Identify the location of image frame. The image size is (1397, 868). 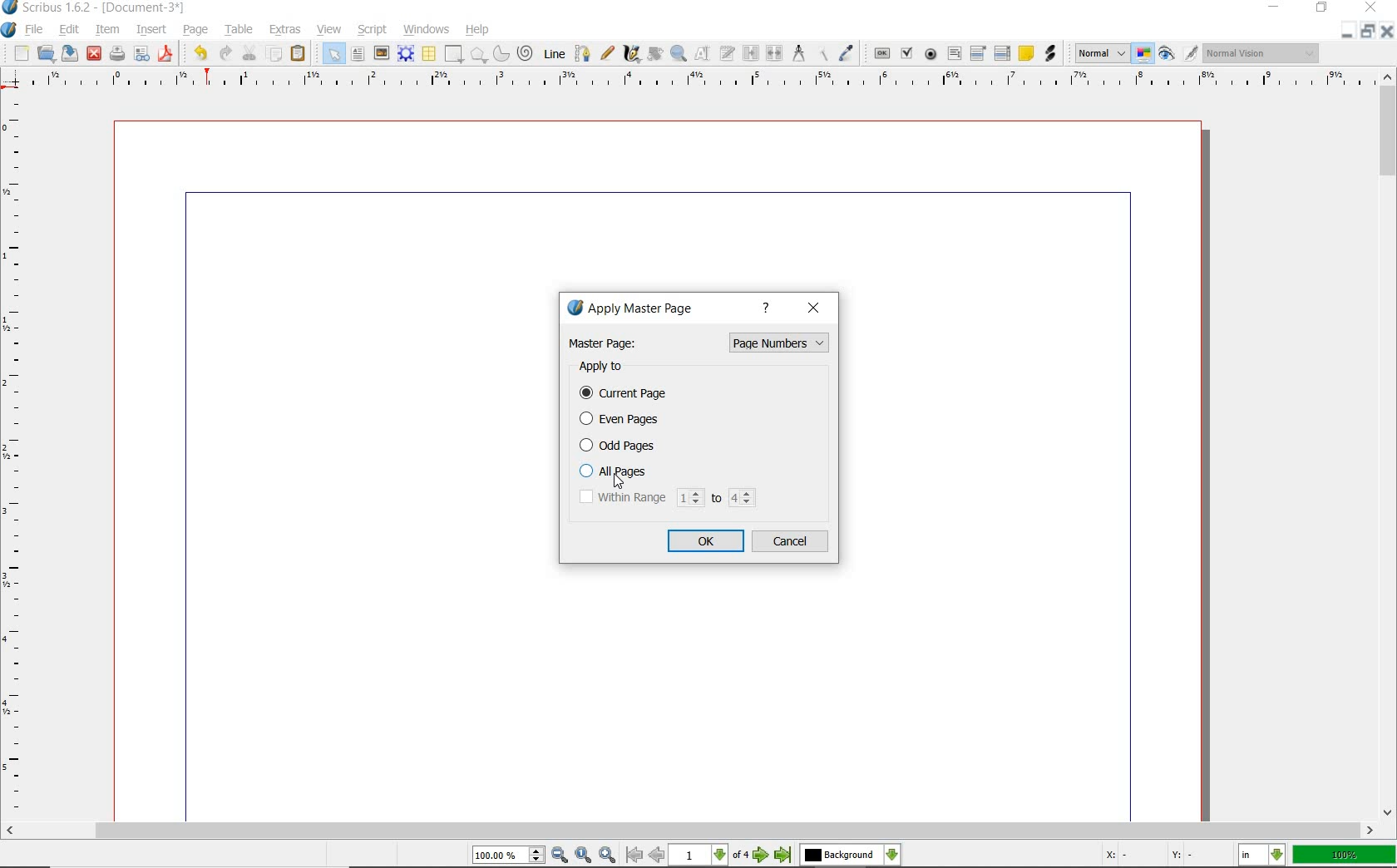
(380, 52).